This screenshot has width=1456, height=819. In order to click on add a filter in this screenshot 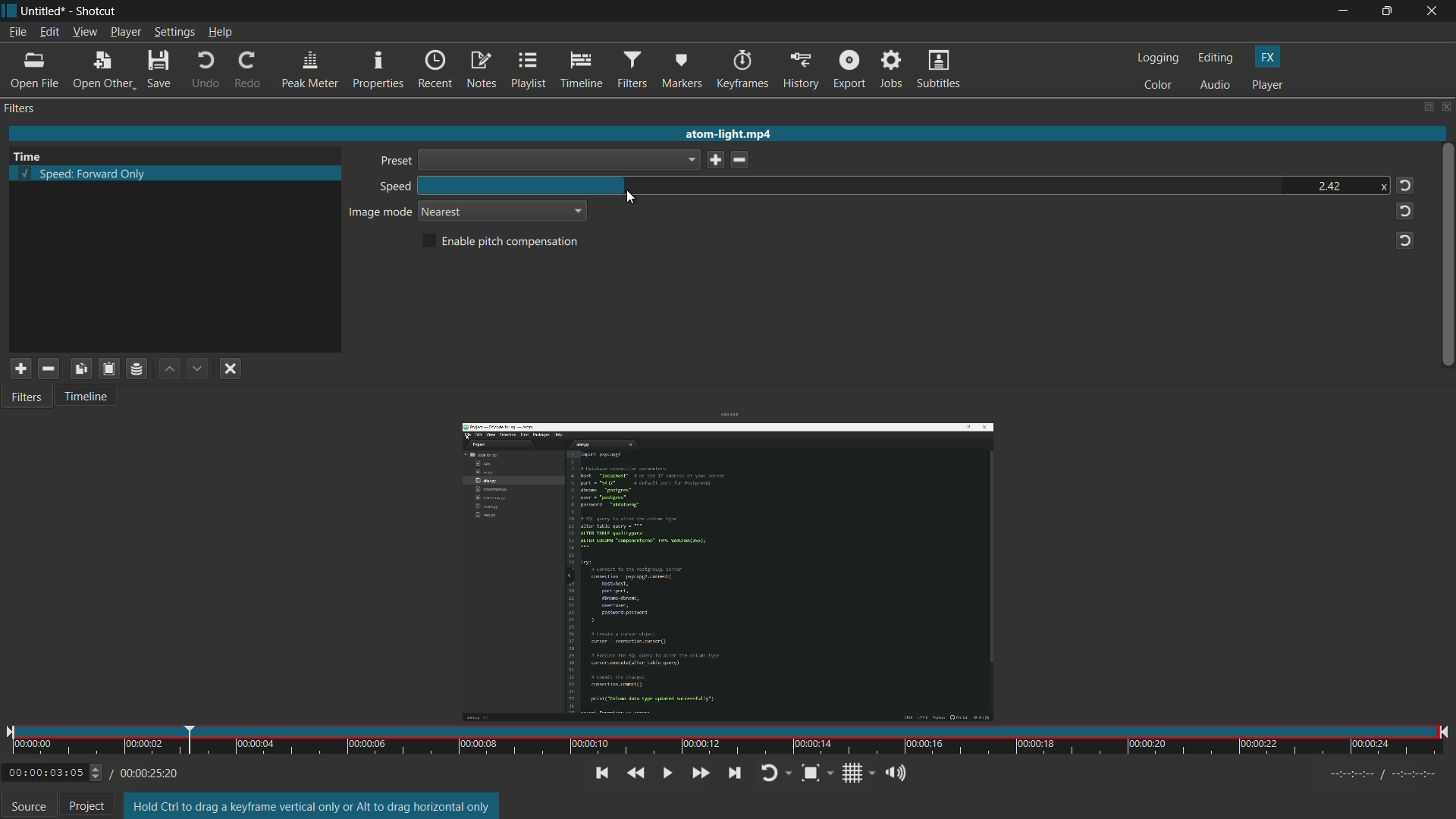, I will do `click(19, 369)`.